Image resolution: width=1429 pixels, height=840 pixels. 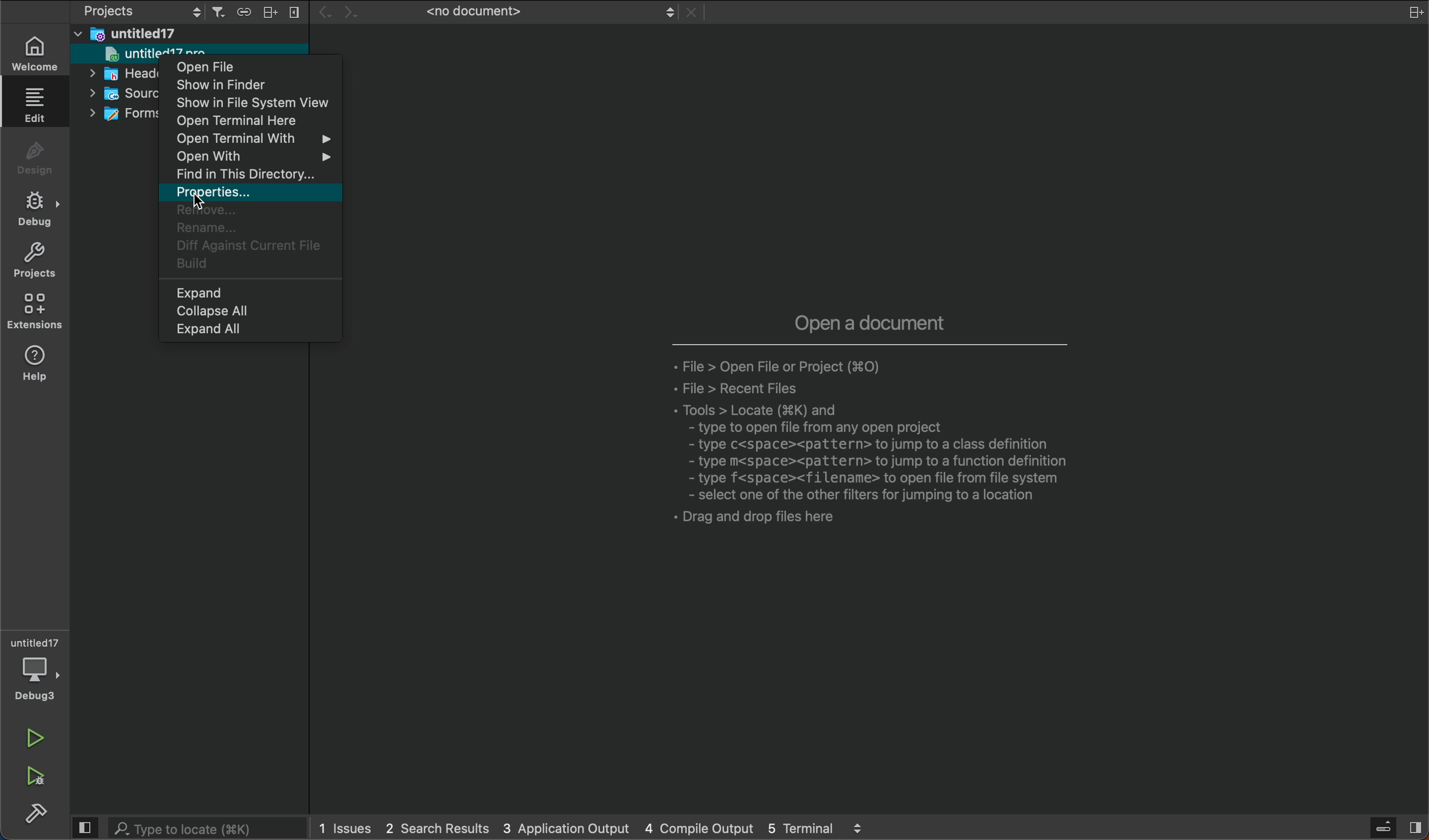 What do you see at coordinates (37, 259) in the screenshot?
I see `projects` at bounding box center [37, 259].